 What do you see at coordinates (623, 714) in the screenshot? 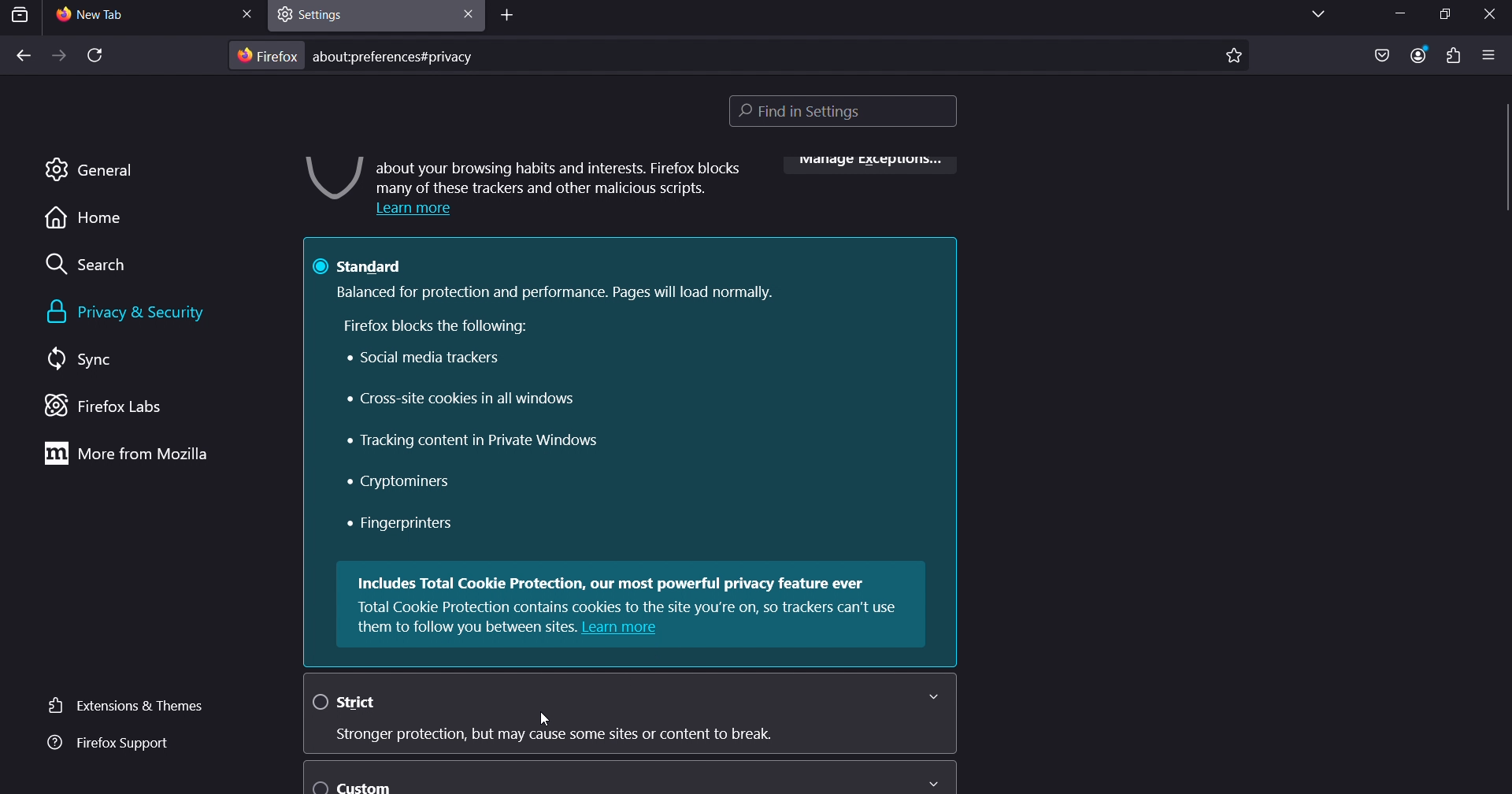
I see `strict Stronger protection, but may cause some sites or content to break.` at bounding box center [623, 714].